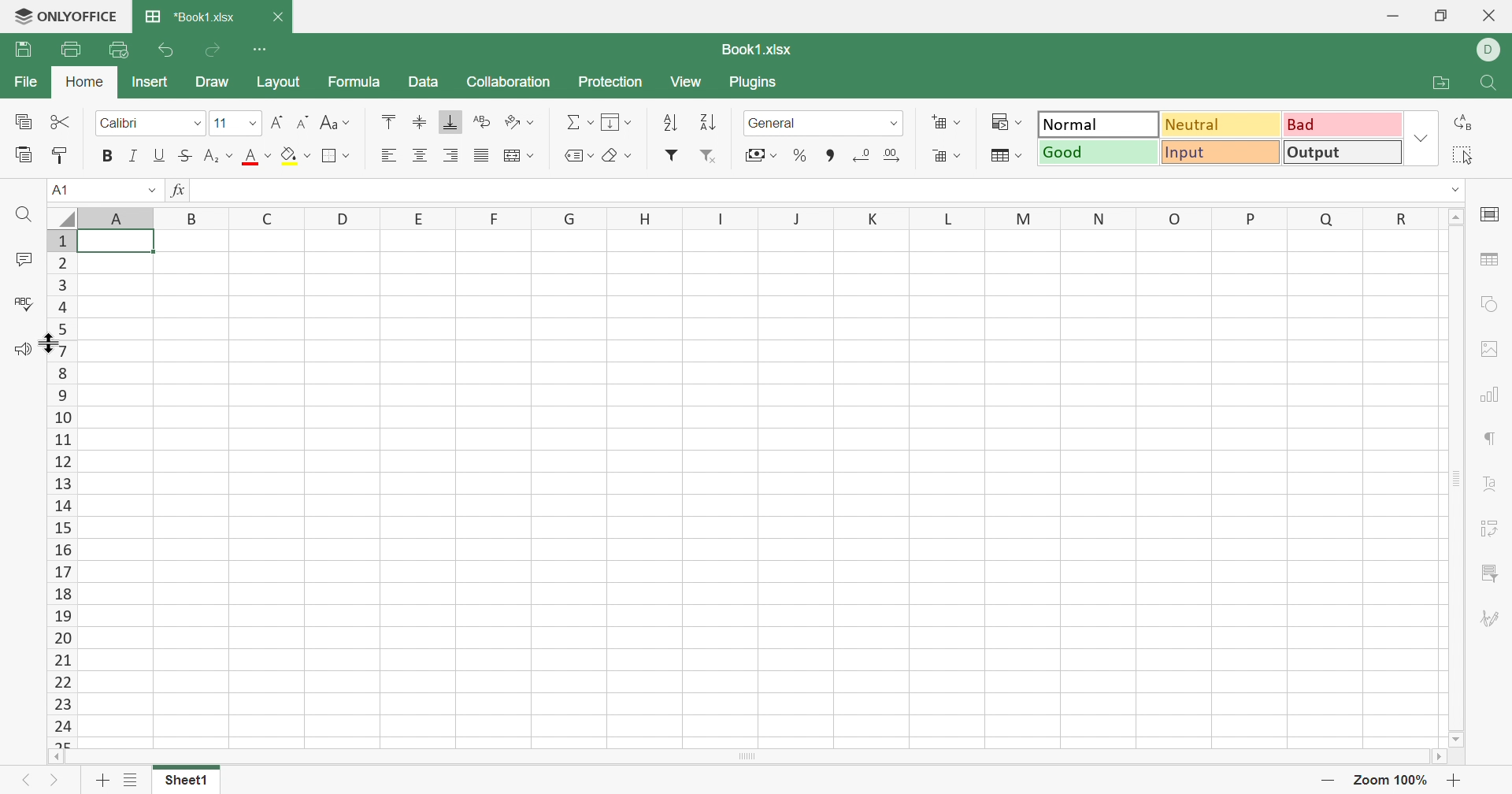 The image size is (1512, 794). Describe the element at coordinates (610, 79) in the screenshot. I see `Protection` at that location.